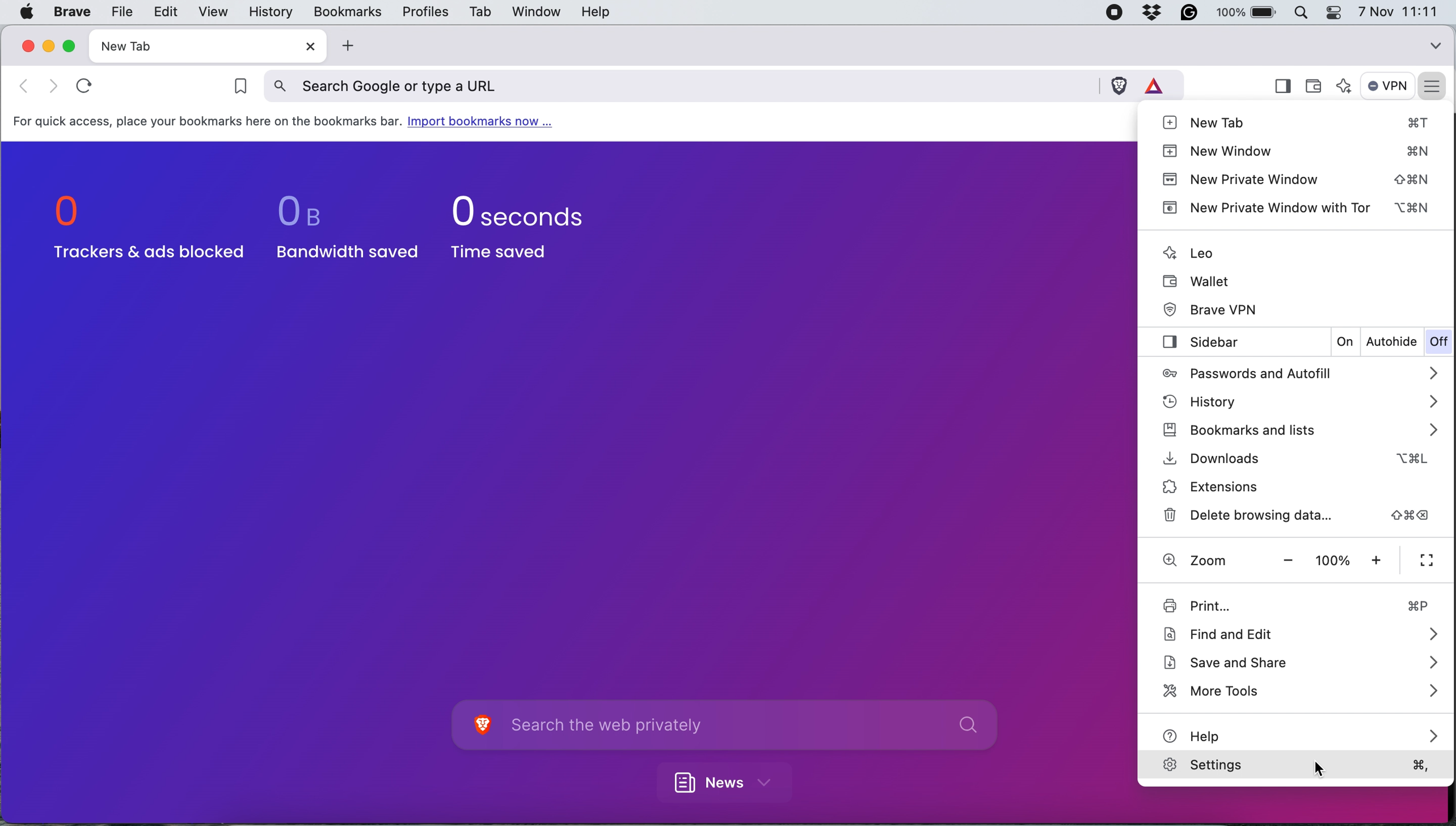 The height and width of the screenshot is (826, 1456). Describe the element at coordinates (1298, 769) in the screenshot. I see `settings` at that location.